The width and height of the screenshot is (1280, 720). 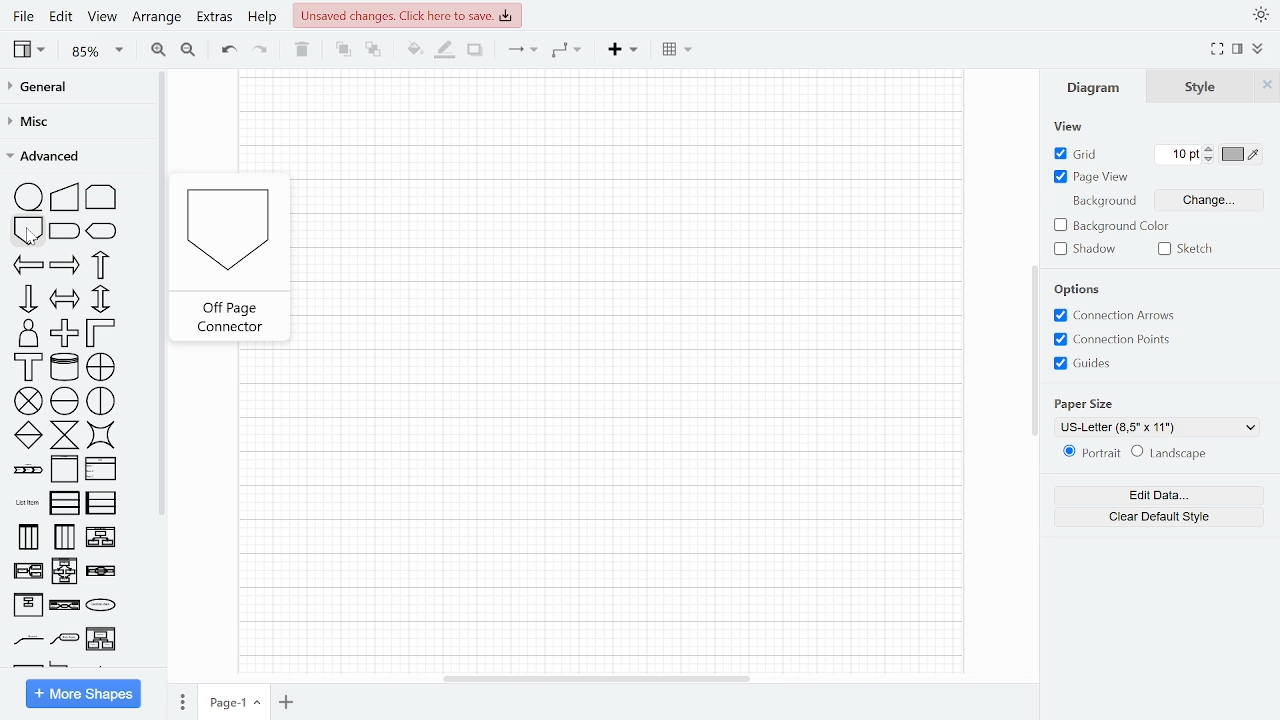 What do you see at coordinates (521, 53) in the screenshot?
I see `Connection` at bounding box center [521, 53].